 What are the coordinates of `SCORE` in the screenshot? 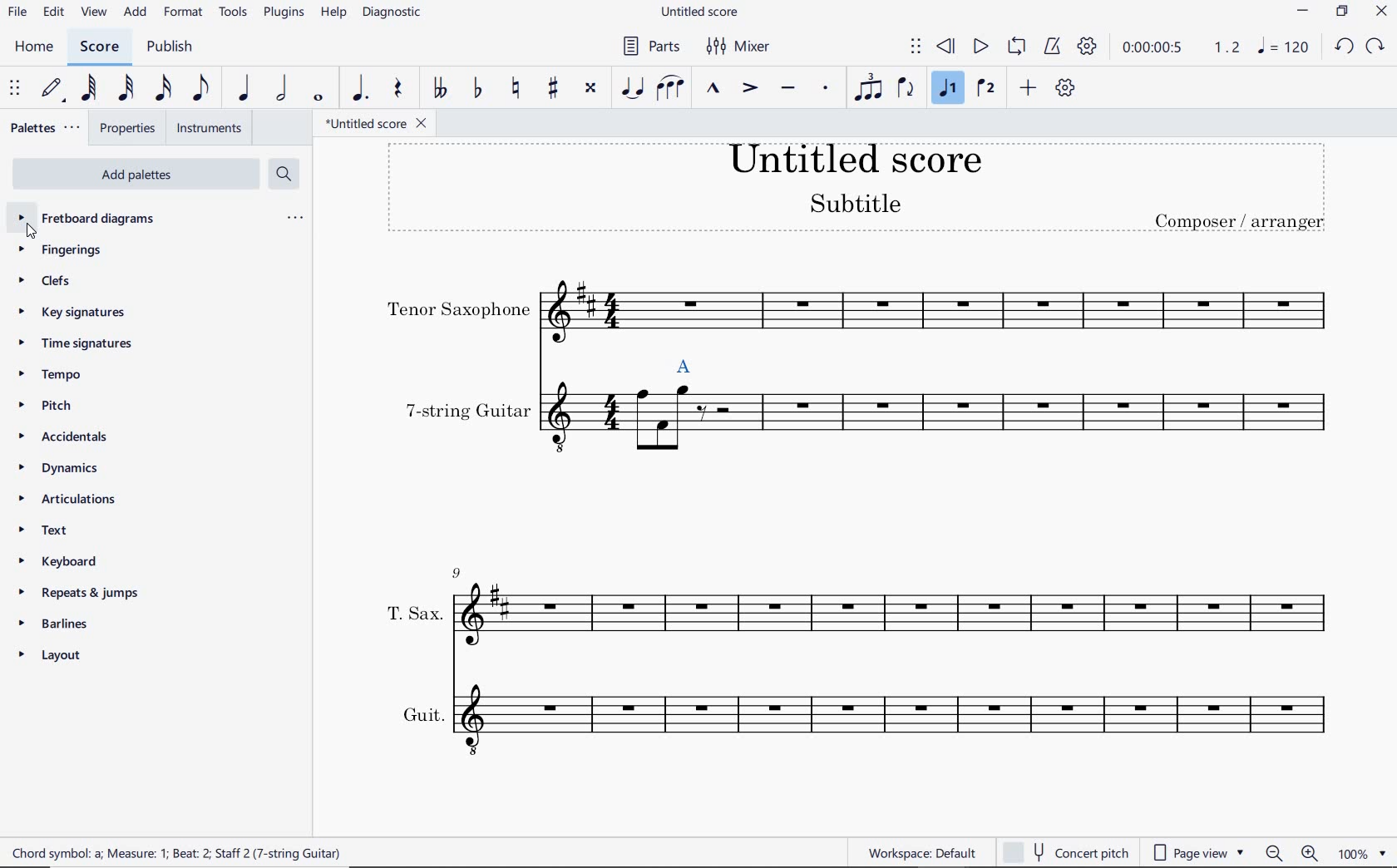 It's located at (101, 46).